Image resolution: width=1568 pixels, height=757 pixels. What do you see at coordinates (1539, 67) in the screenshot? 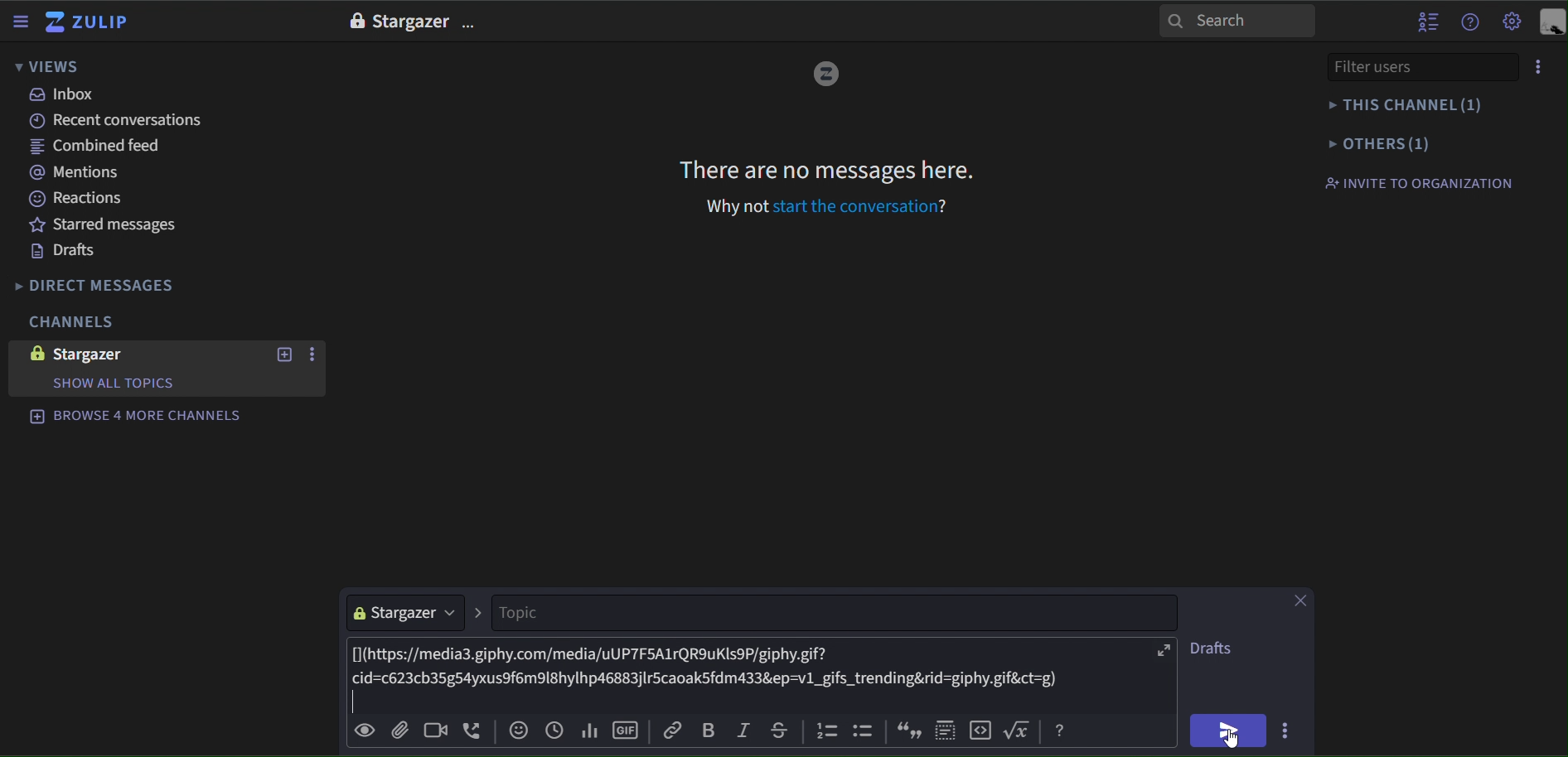
I see `options` at bounding box center [1539, 67].